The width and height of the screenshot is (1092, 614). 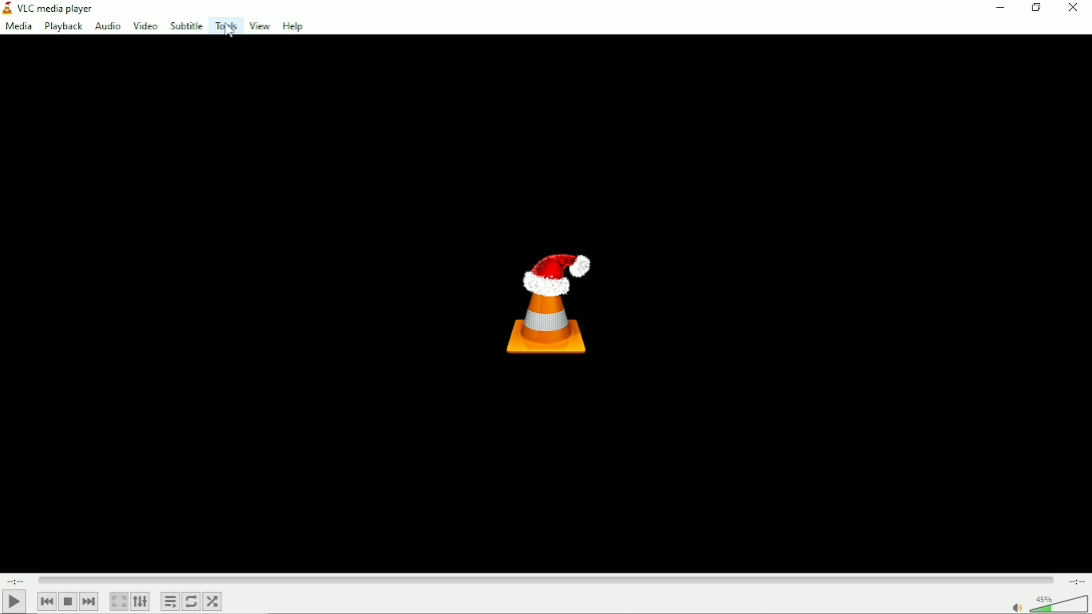 What do you see at coordinates (141, 601) in the screenshot?
I see `Show extended settings` at bounding box center [141, 601].